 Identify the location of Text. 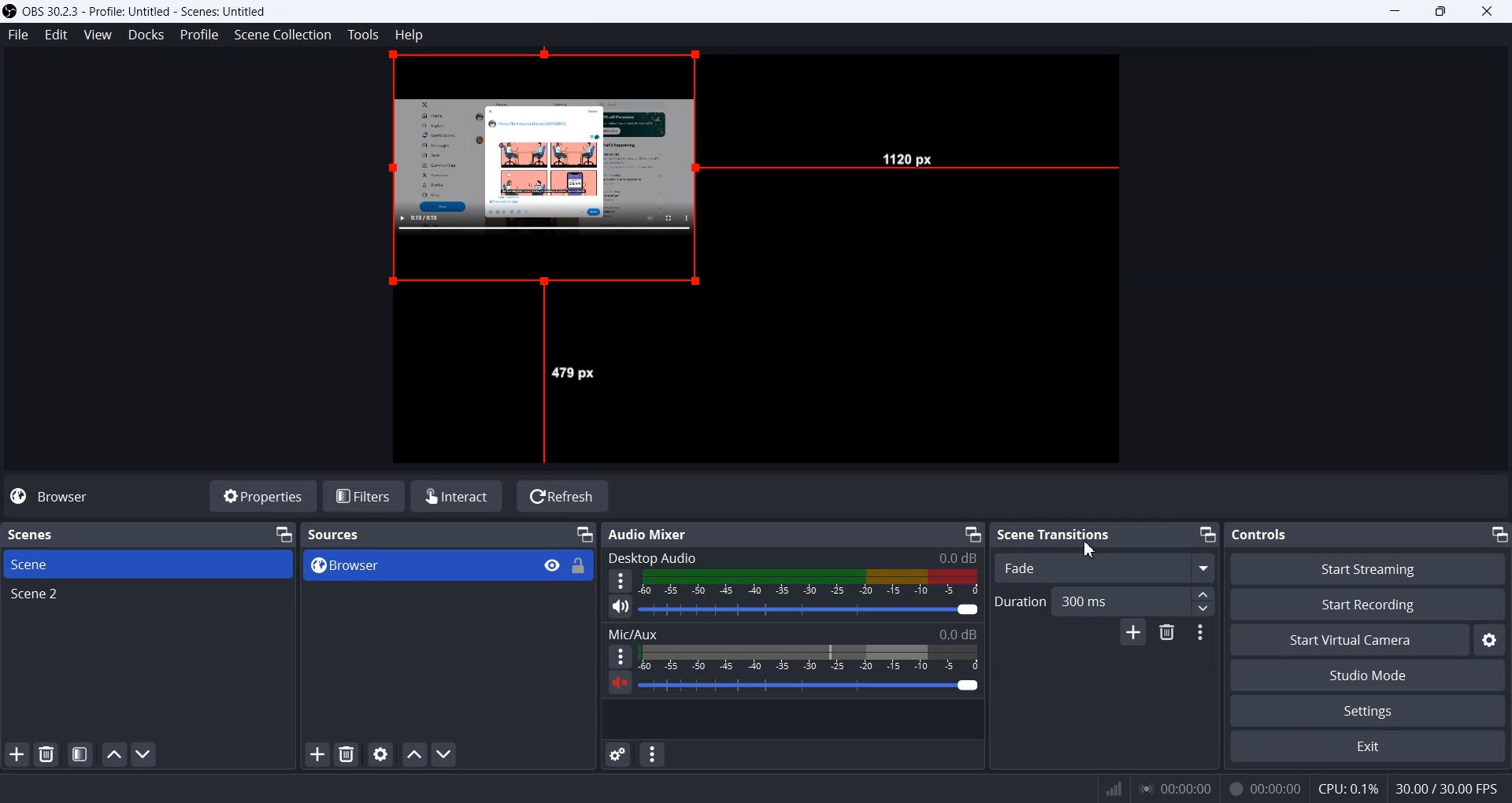
(351, 534).